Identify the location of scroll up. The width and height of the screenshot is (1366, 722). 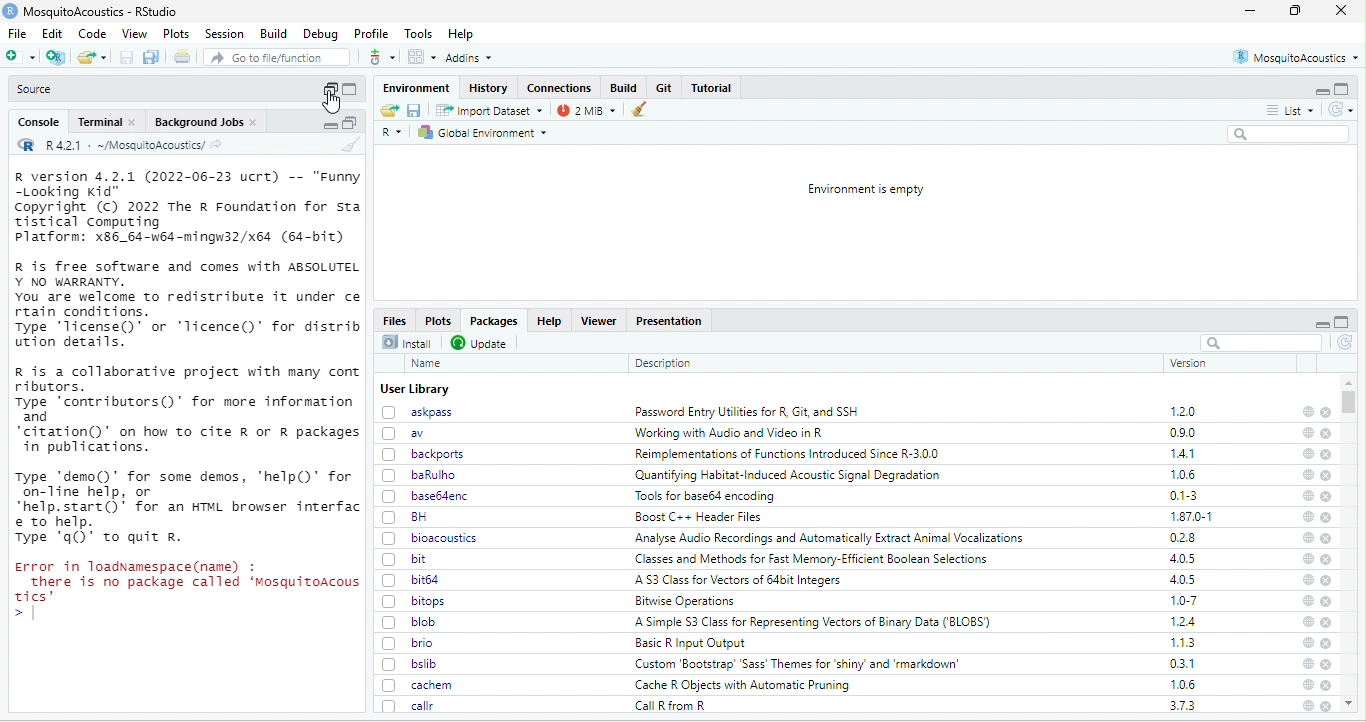
(1350, 382).